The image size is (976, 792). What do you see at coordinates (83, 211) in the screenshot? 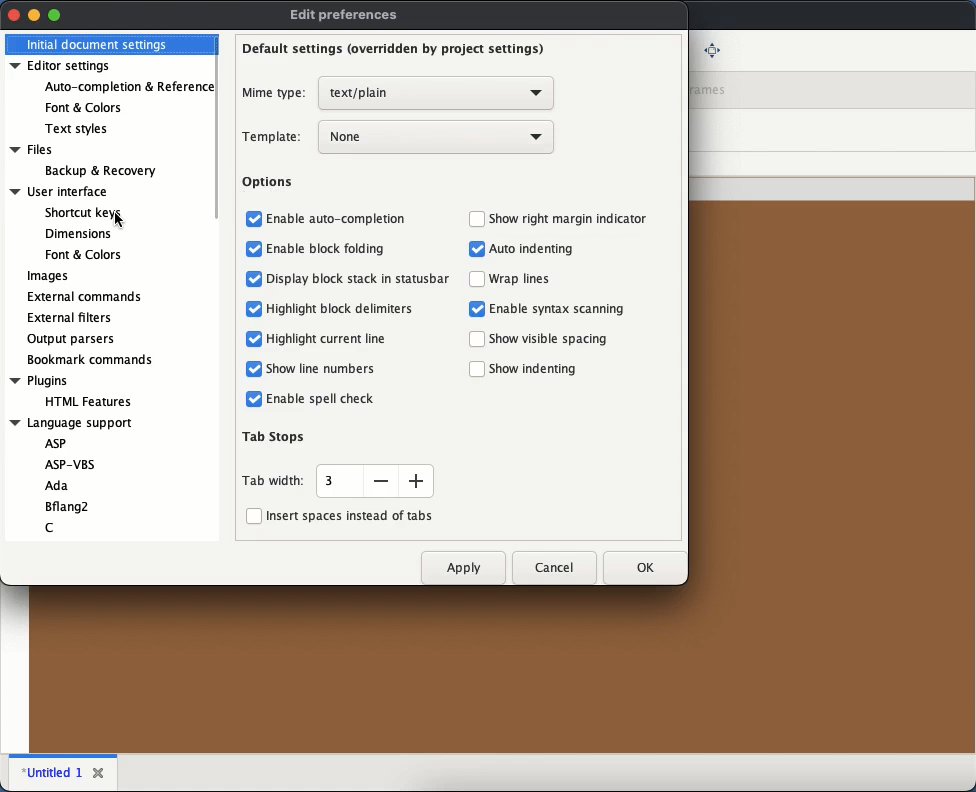
I see `shortcut keys` at bounding box center [83, 211].